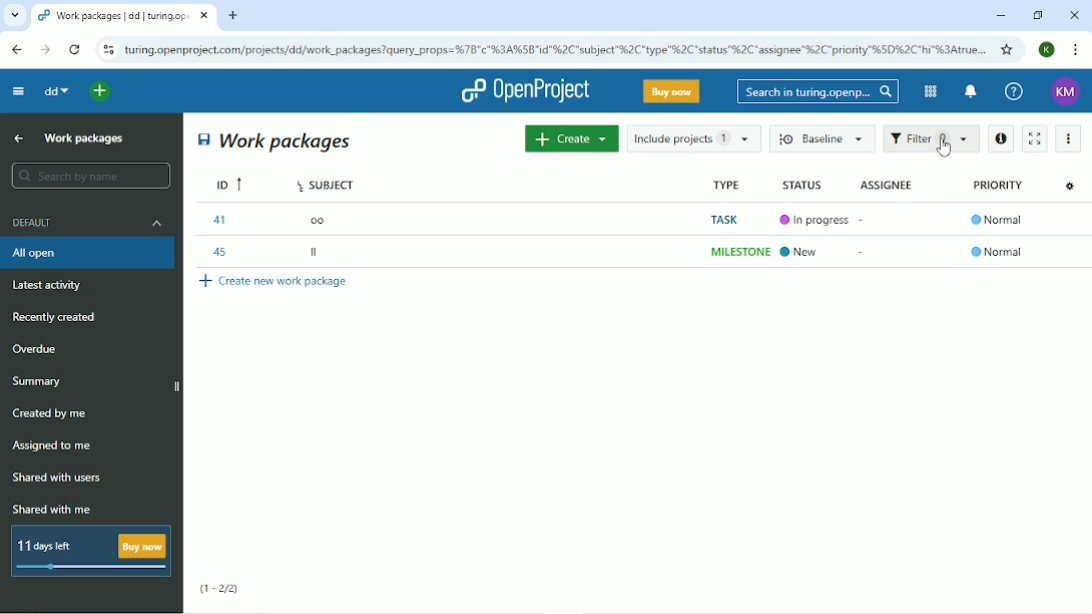 This screenshot has width=1092, height=614. I want to click on close side bar, so click(178, 386).